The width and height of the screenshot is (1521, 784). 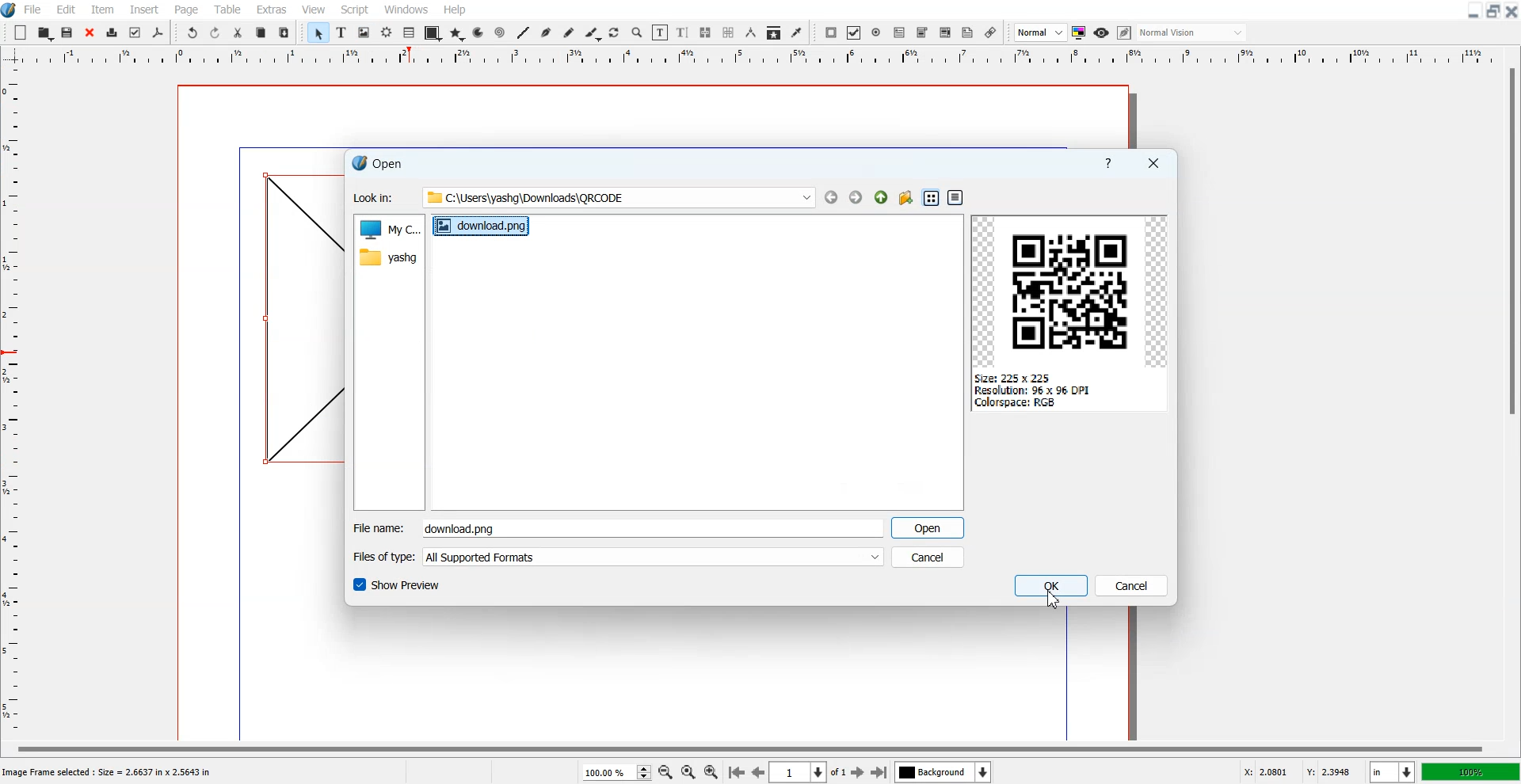 What do you see at coordinates (932, 197) in the screenshot?
I see `List View` at bounding box center [932, 197].